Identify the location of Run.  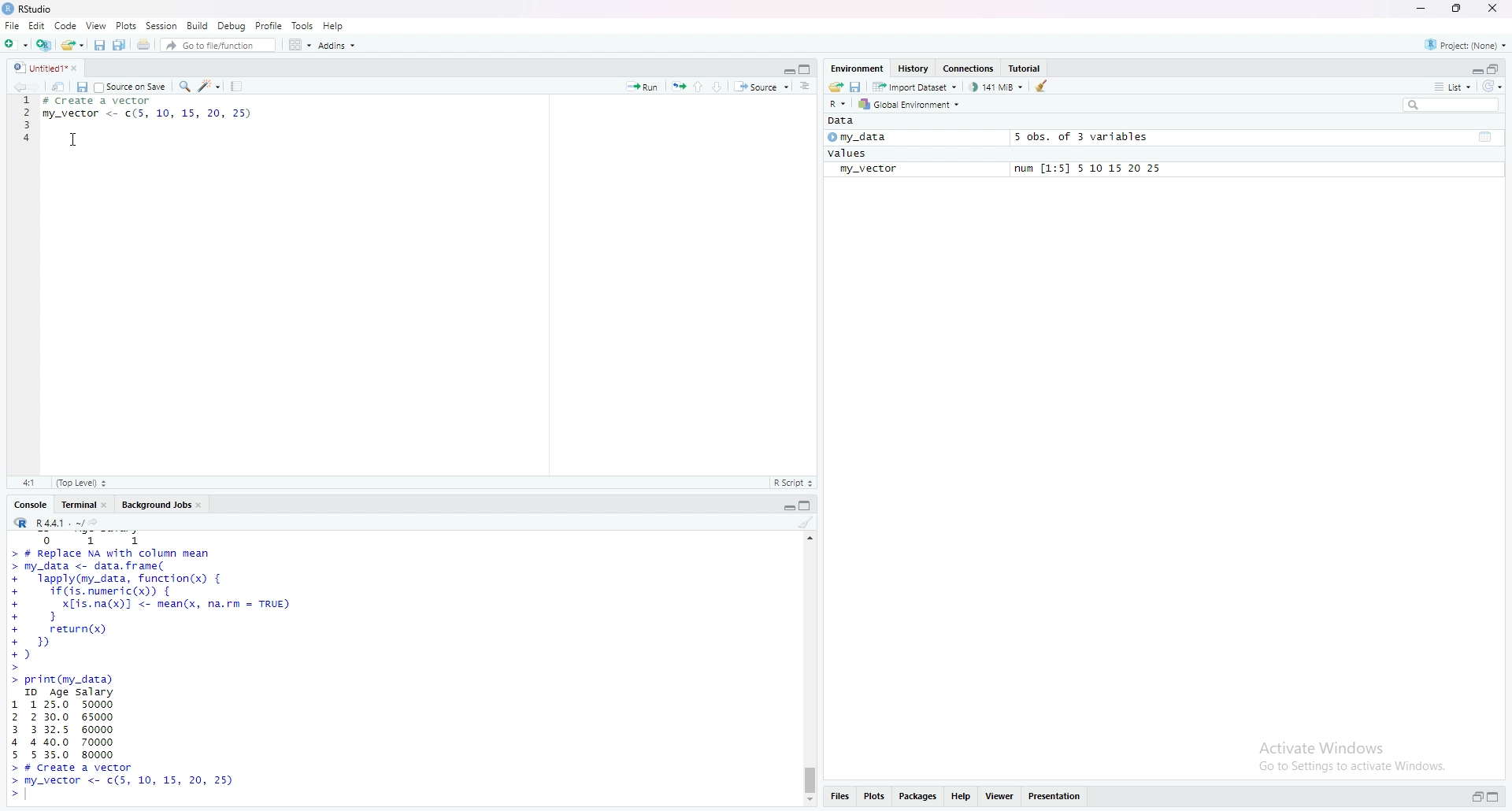
(643, 86).